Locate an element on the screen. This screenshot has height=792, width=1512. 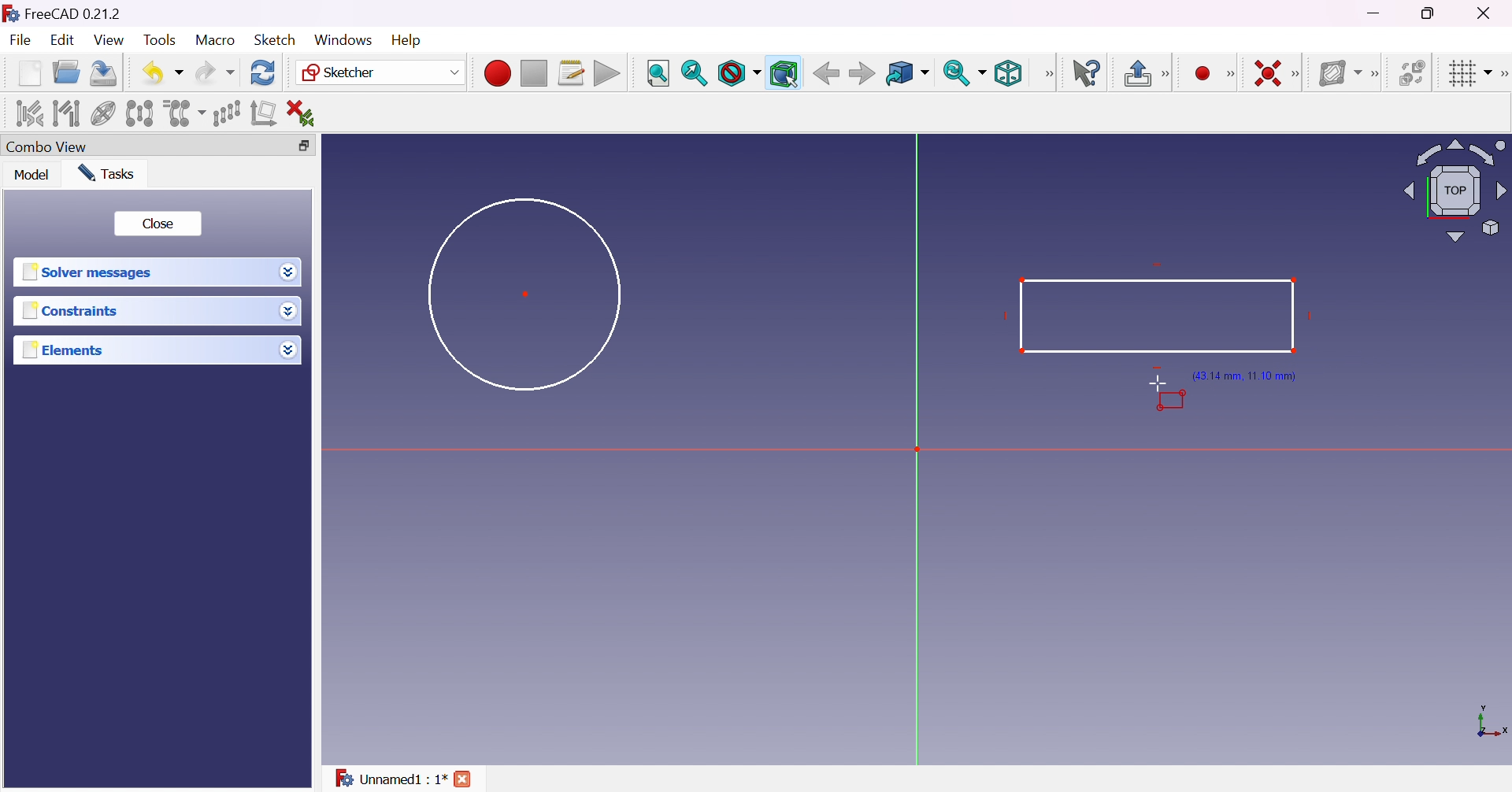
Go to linked object is located at coordinates (906, 74).